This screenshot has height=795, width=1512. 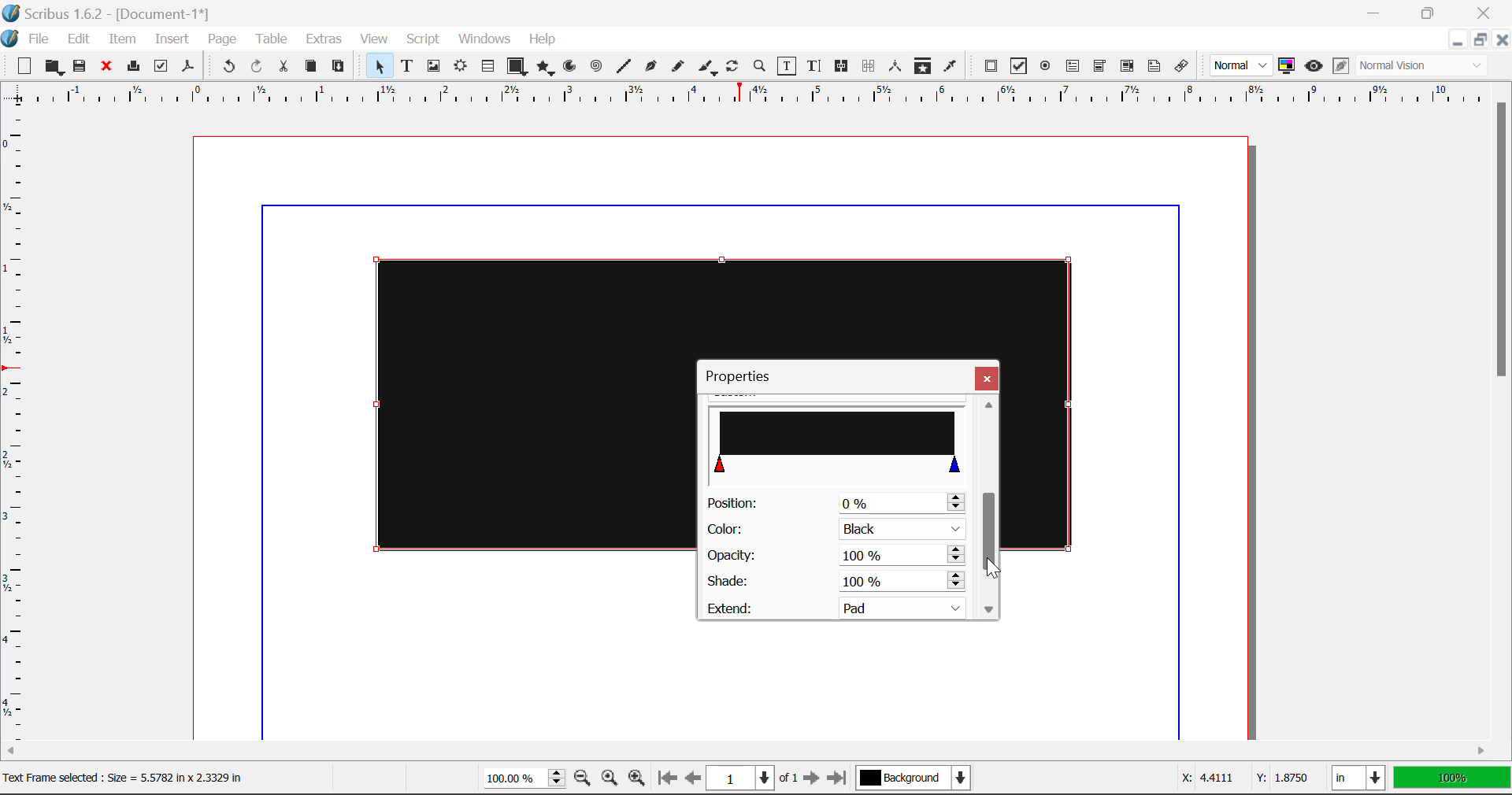 I want to click on Calligraphic Line, so click(x=709, y=69).